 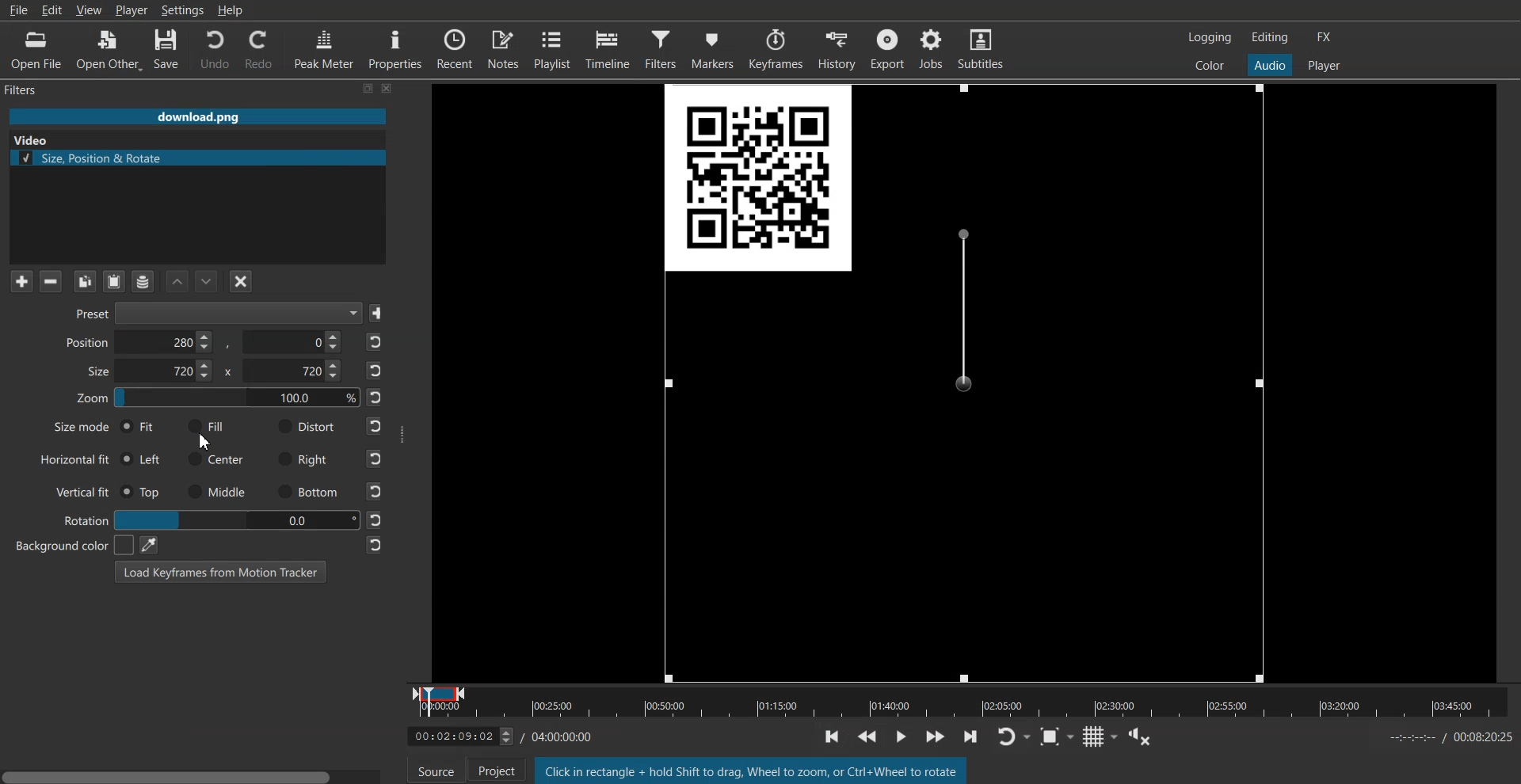 I want to click on Undo, so click(x=213, y=50).